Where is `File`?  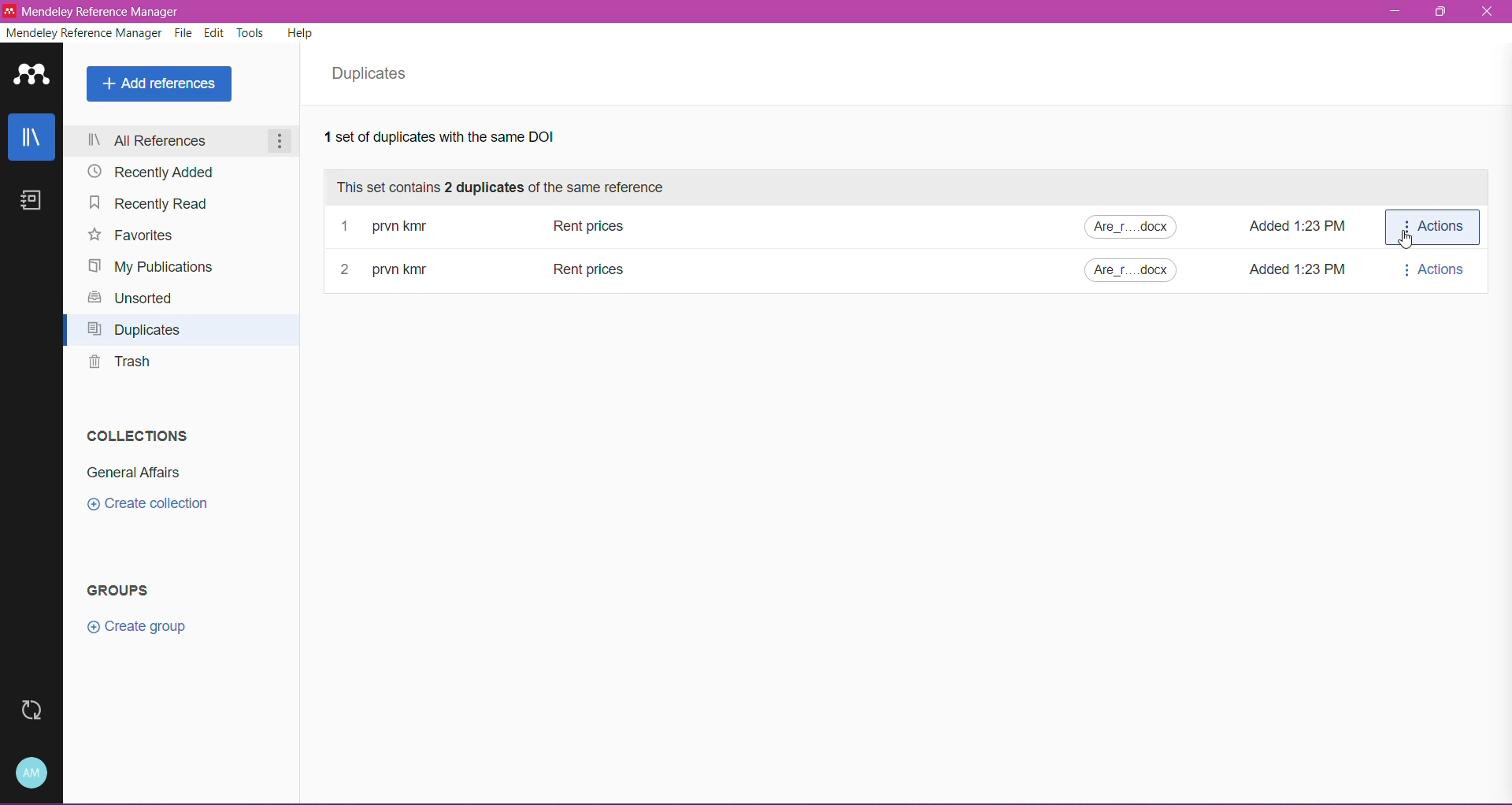 File is located at coordinates (185, 34).